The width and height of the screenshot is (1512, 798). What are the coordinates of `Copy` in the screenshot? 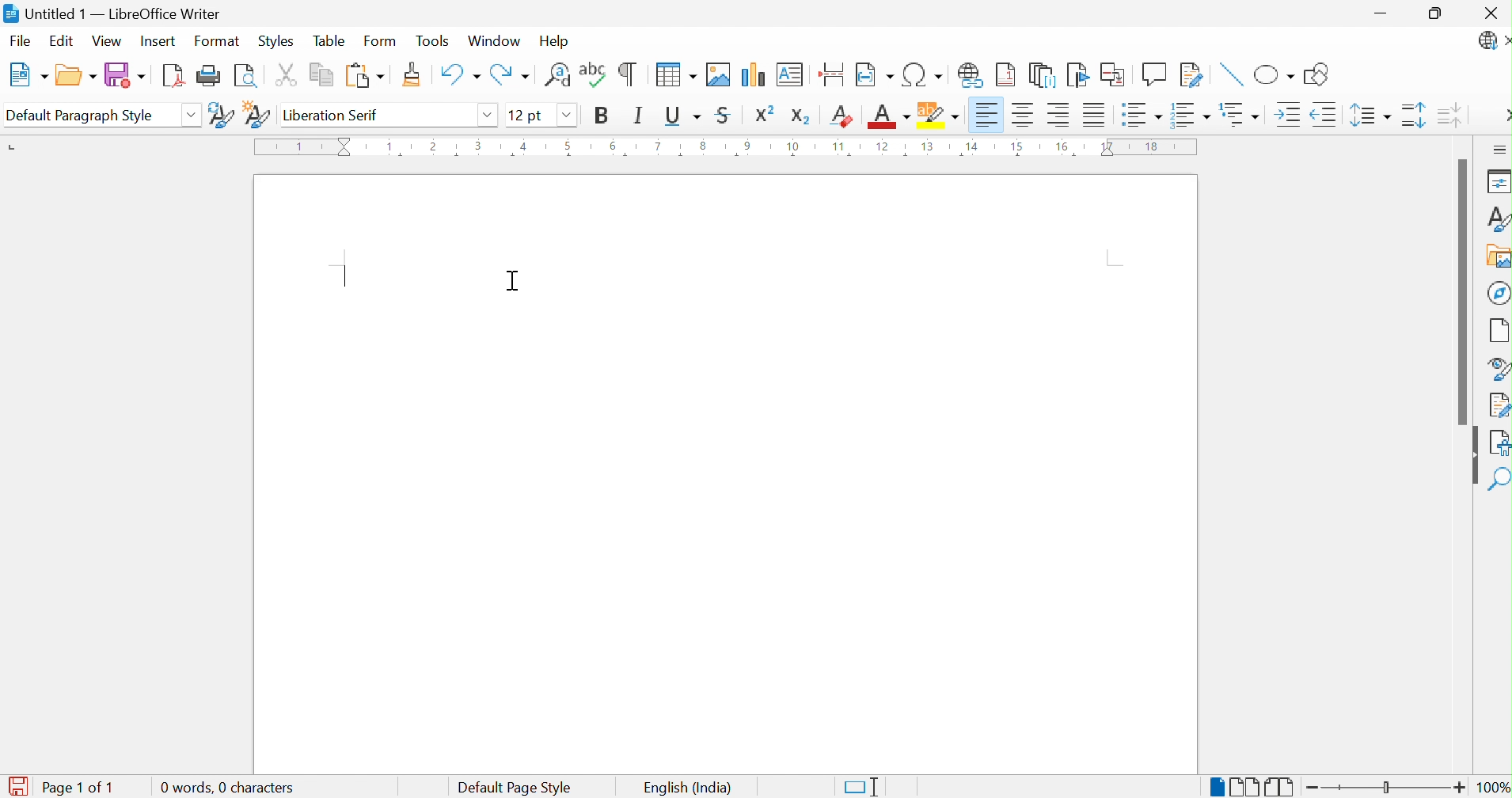 It's located at (319, 74).